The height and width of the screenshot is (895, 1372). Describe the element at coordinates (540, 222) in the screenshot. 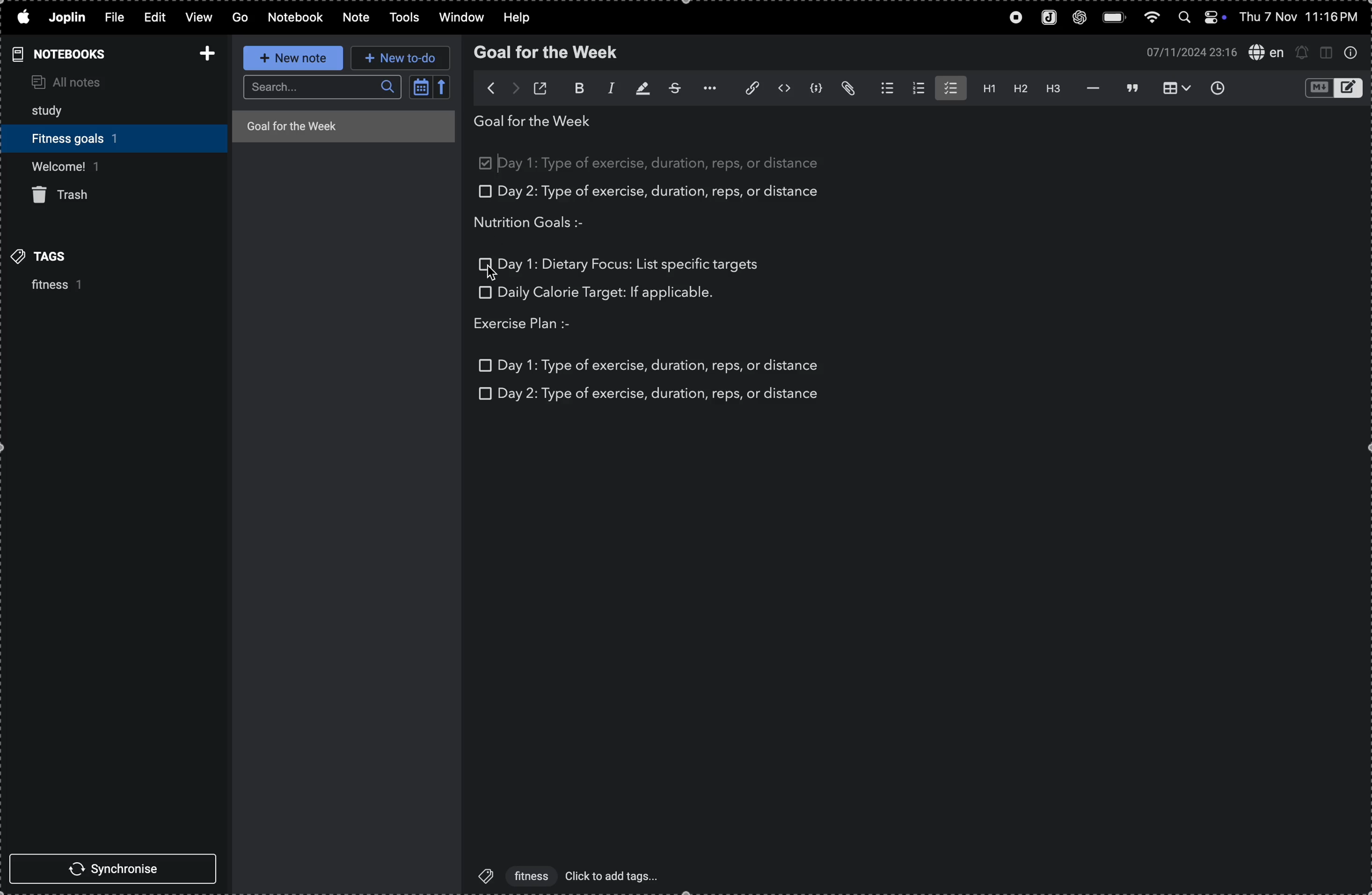

I see `nutrition goals :-` at that location.